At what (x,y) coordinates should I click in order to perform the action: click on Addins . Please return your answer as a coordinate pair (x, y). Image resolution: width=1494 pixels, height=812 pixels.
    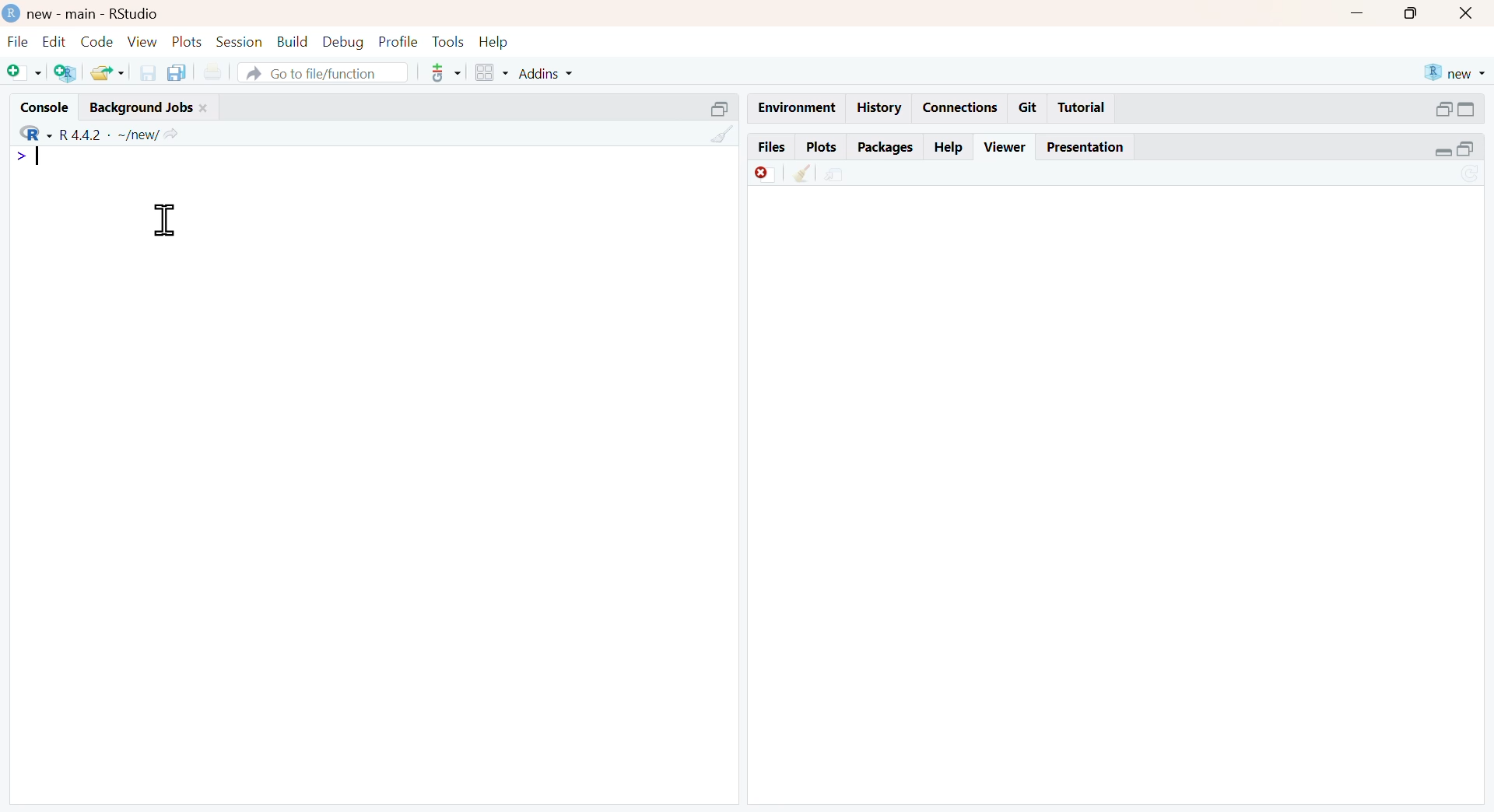
    Looking at the image, I should click on (569, 73).